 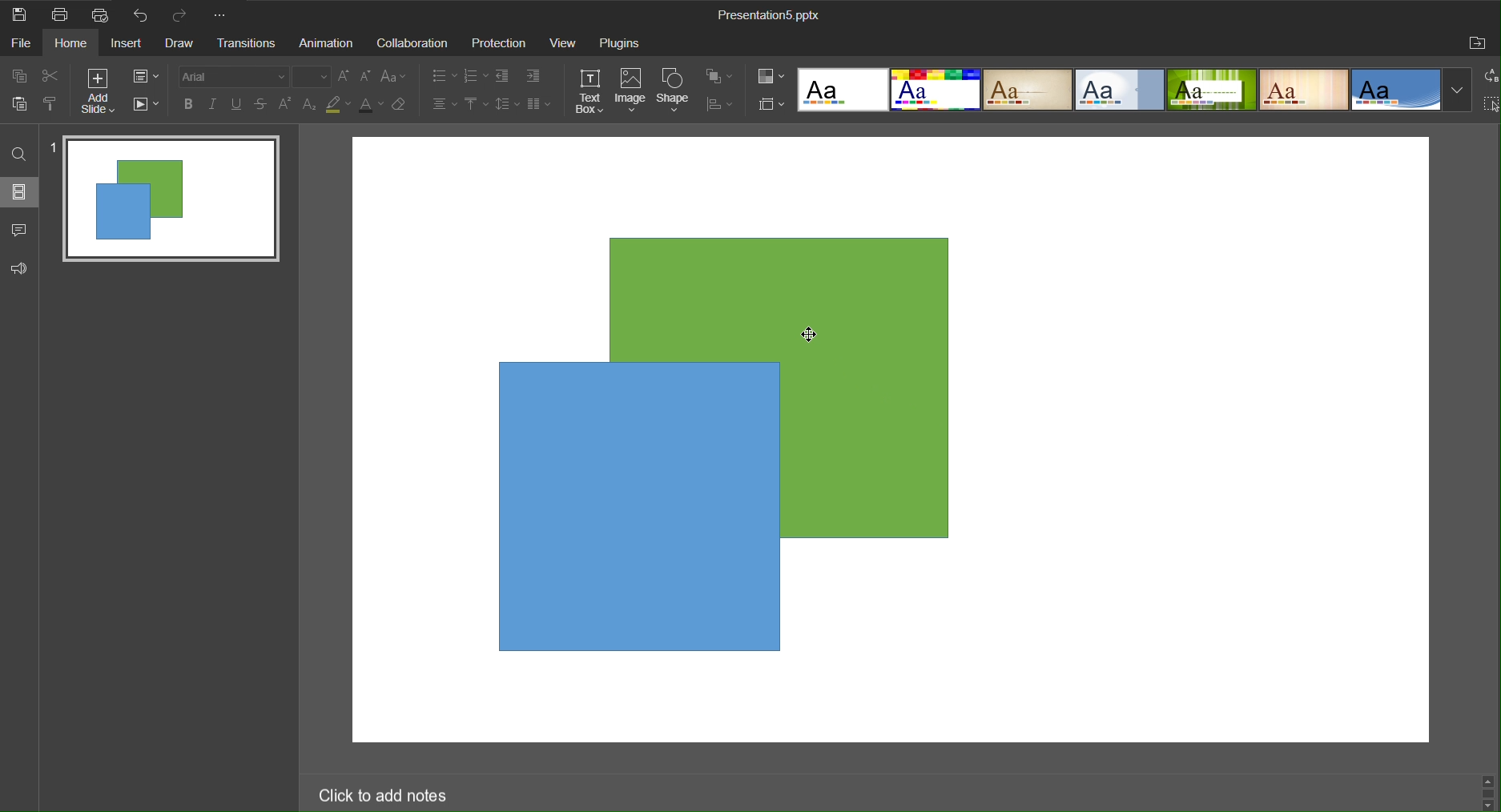 What do you see at coordinates (586, 90) in the screenshot?
I see `Text Box` at bounding box center [586, 90].